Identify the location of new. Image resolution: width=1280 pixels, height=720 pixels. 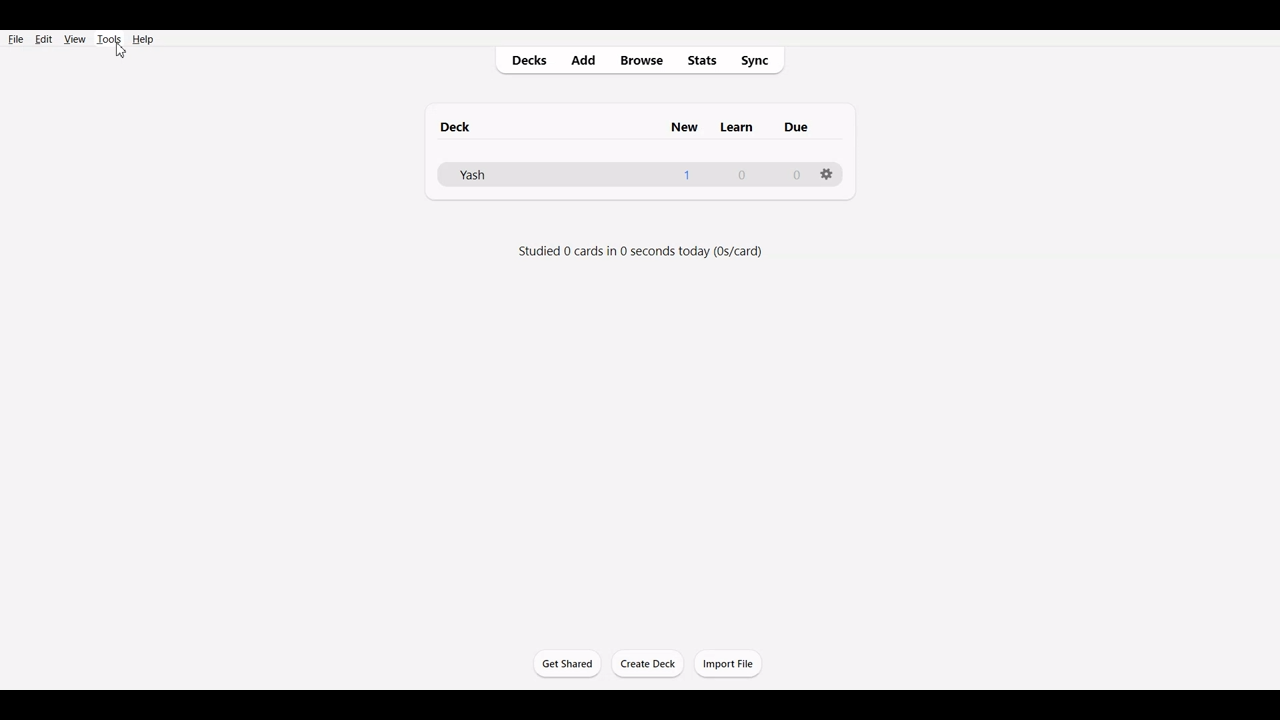
(677, 119).